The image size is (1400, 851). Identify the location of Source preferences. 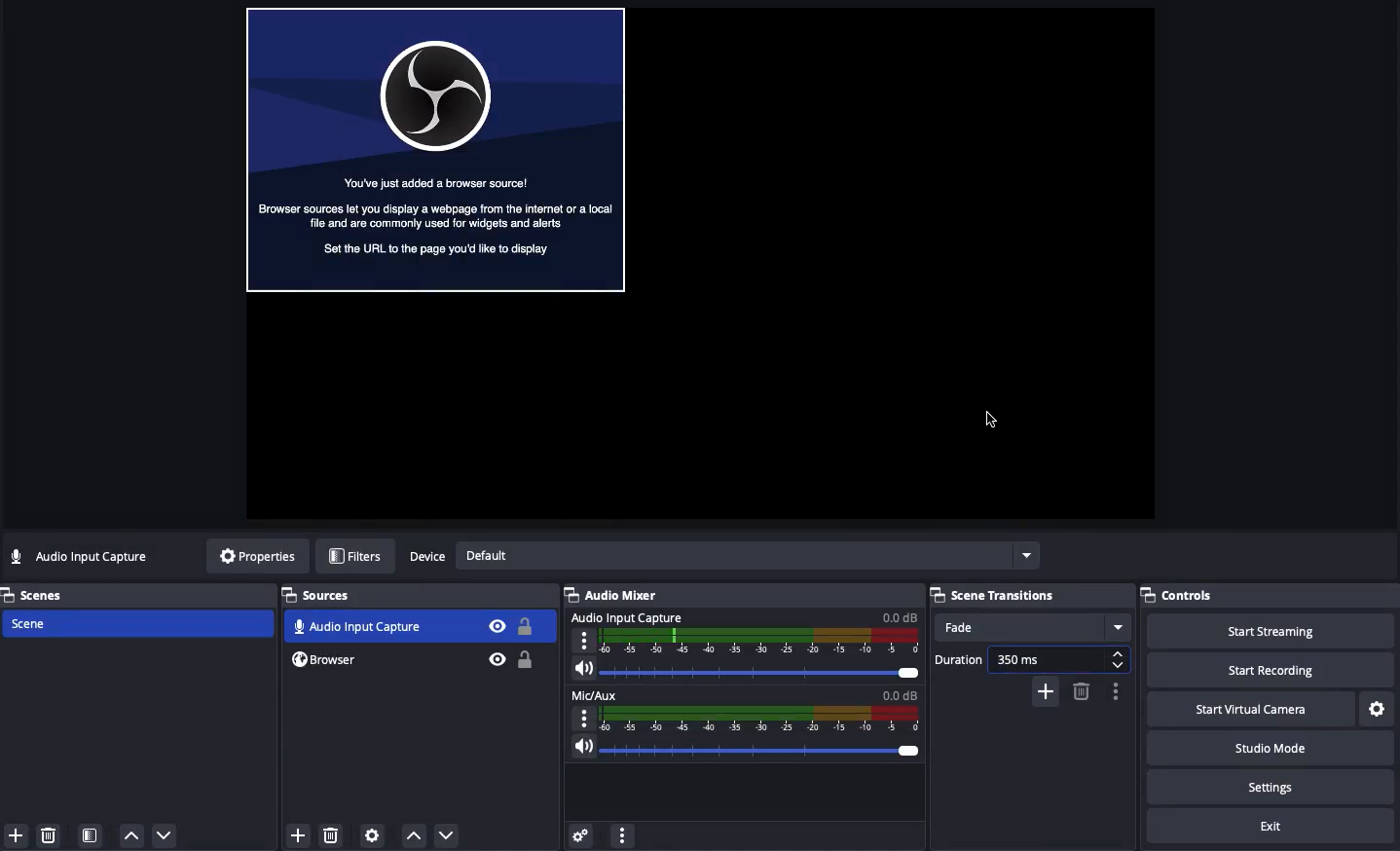
(370, 836).